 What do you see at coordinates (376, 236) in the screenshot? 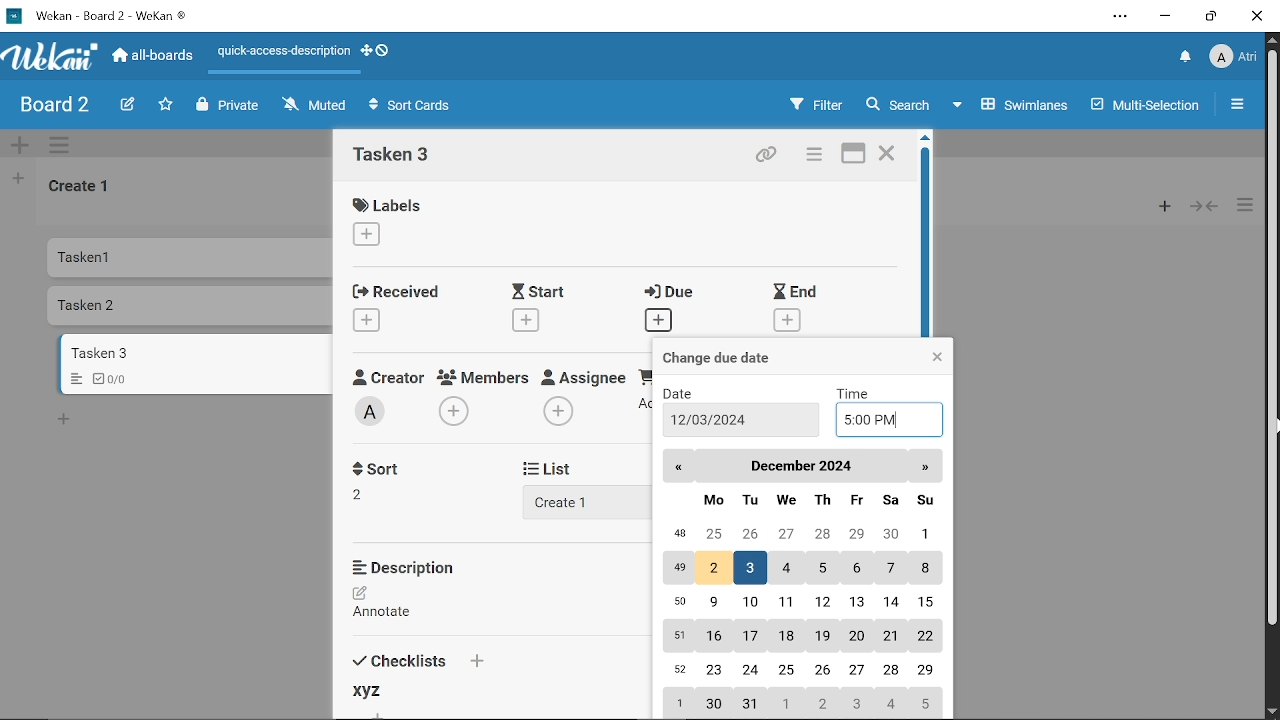
I see `Add label` at bounding box center [376, 236].